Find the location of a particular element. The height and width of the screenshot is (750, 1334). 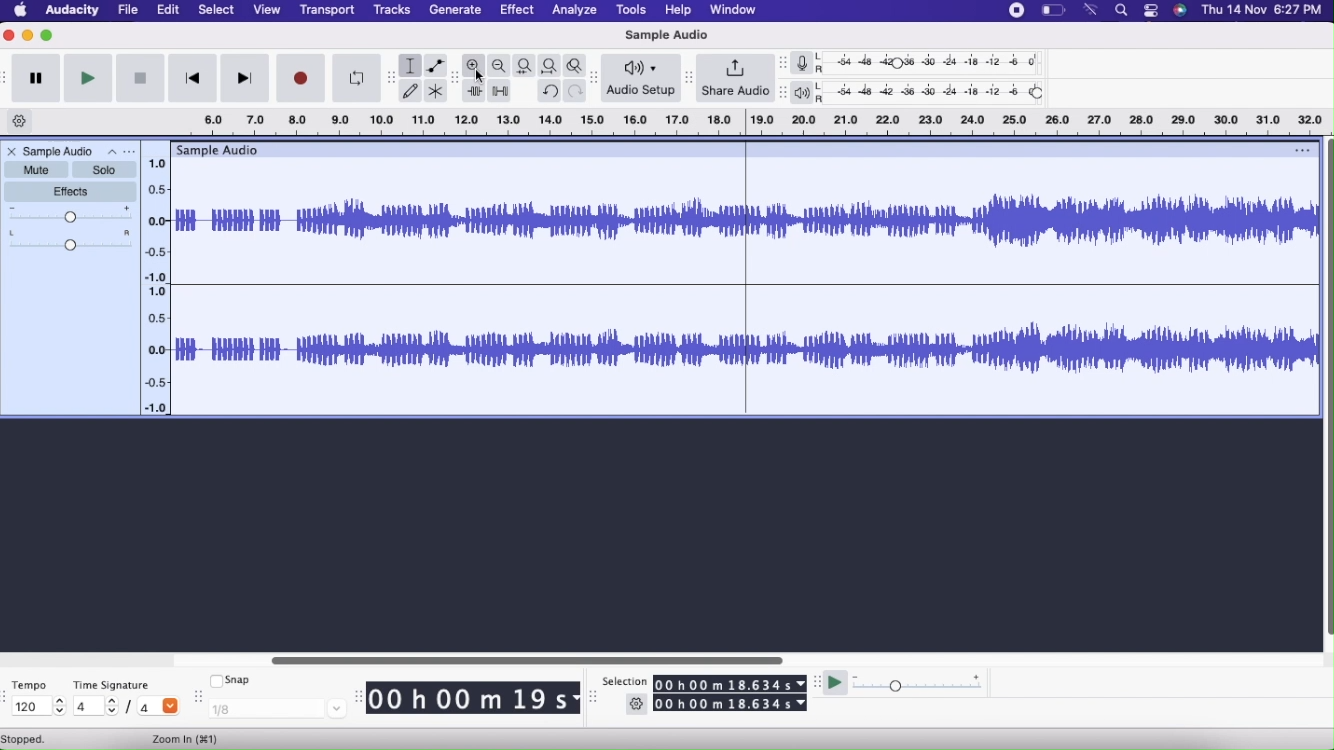

Help is located at coordinates (678, 10).